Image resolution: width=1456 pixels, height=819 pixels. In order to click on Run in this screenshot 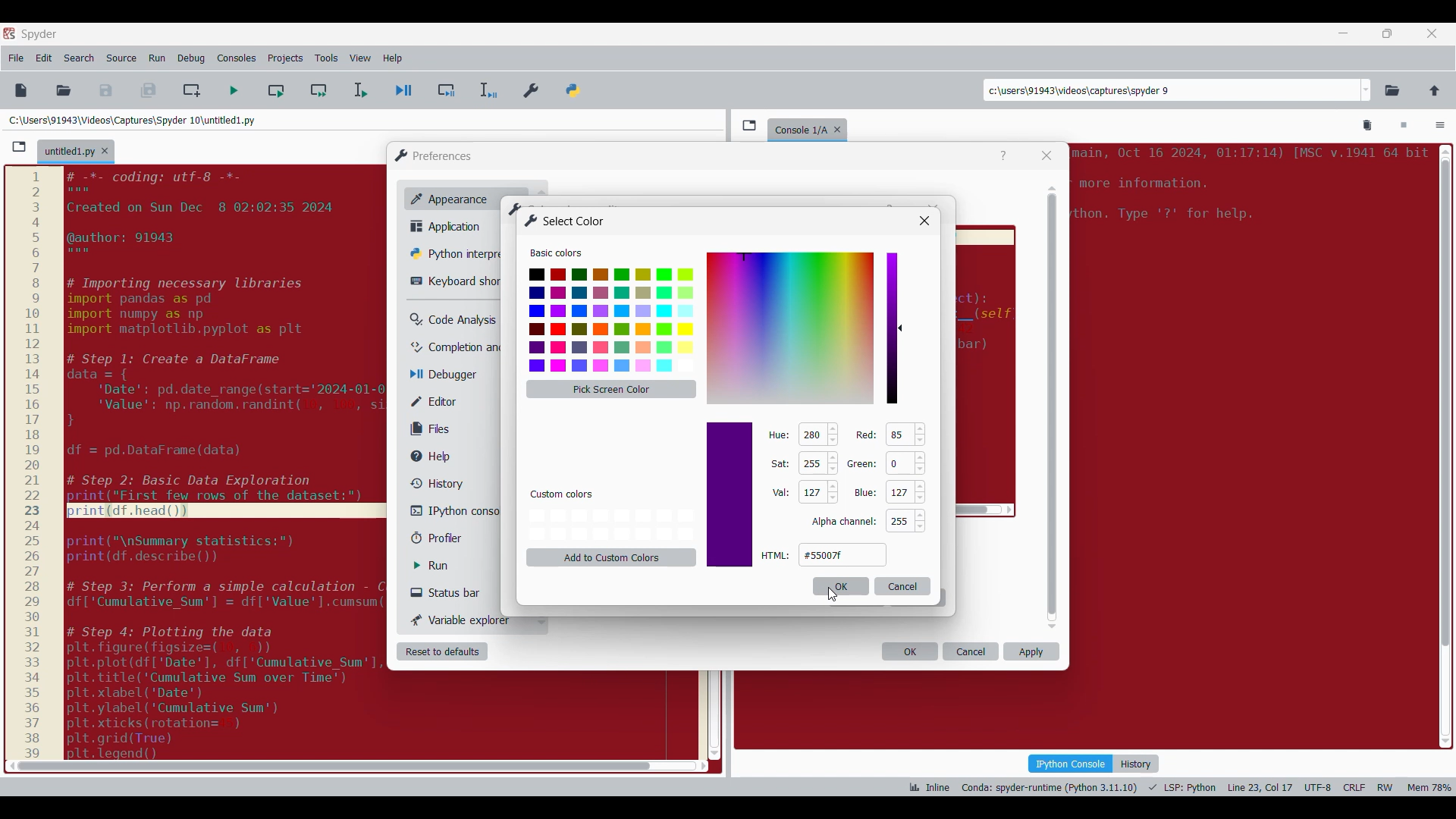, I will do `click(442, 566)`.